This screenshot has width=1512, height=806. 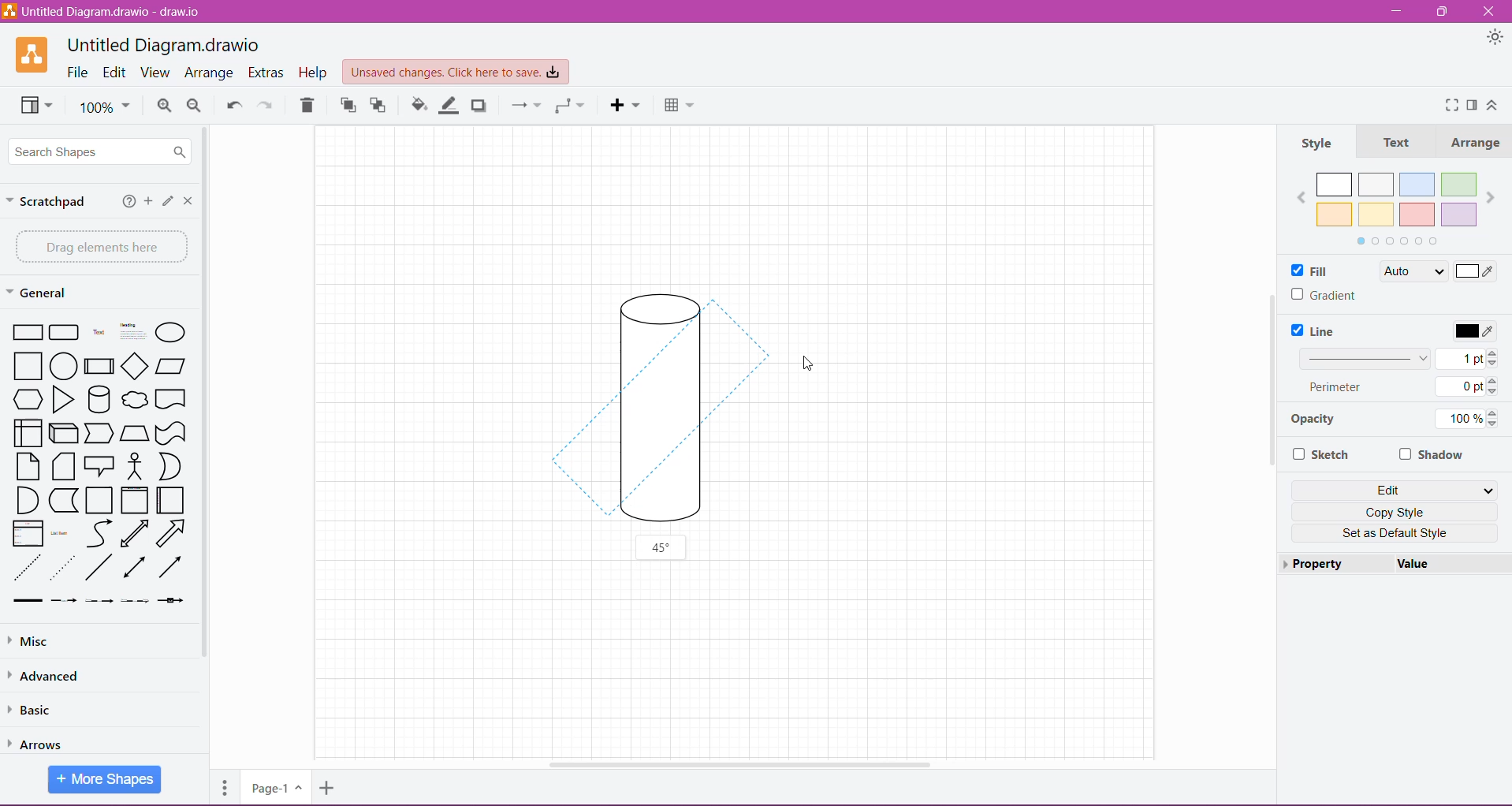 What do you see at coordinates (1395, 206) in the screenshot?
I see `Fill color palette` at bounding box center [1395, 206].